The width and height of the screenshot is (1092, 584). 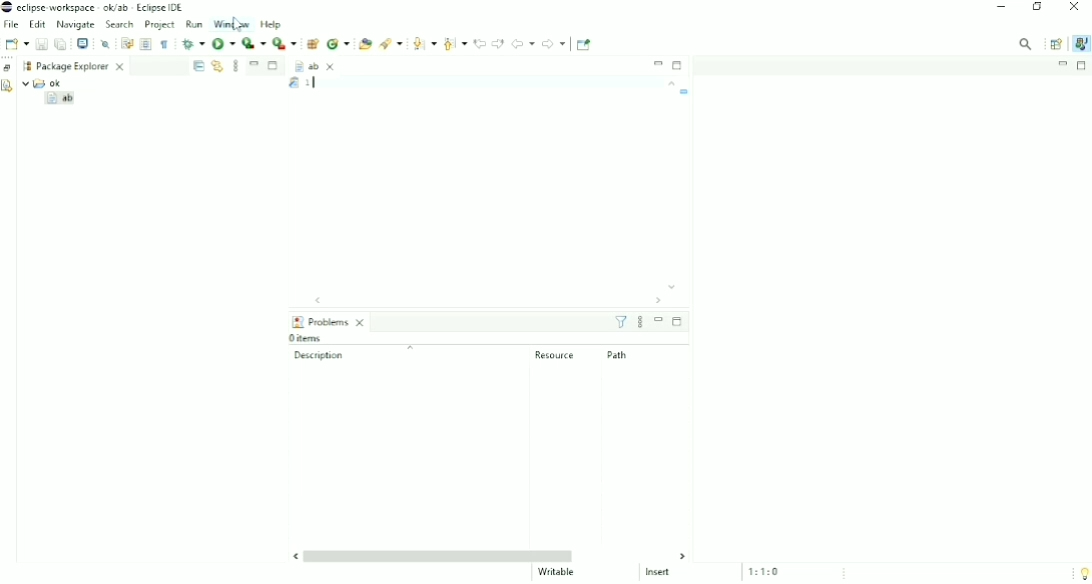 I want to click on Maximize, so click(x=677, y=322).